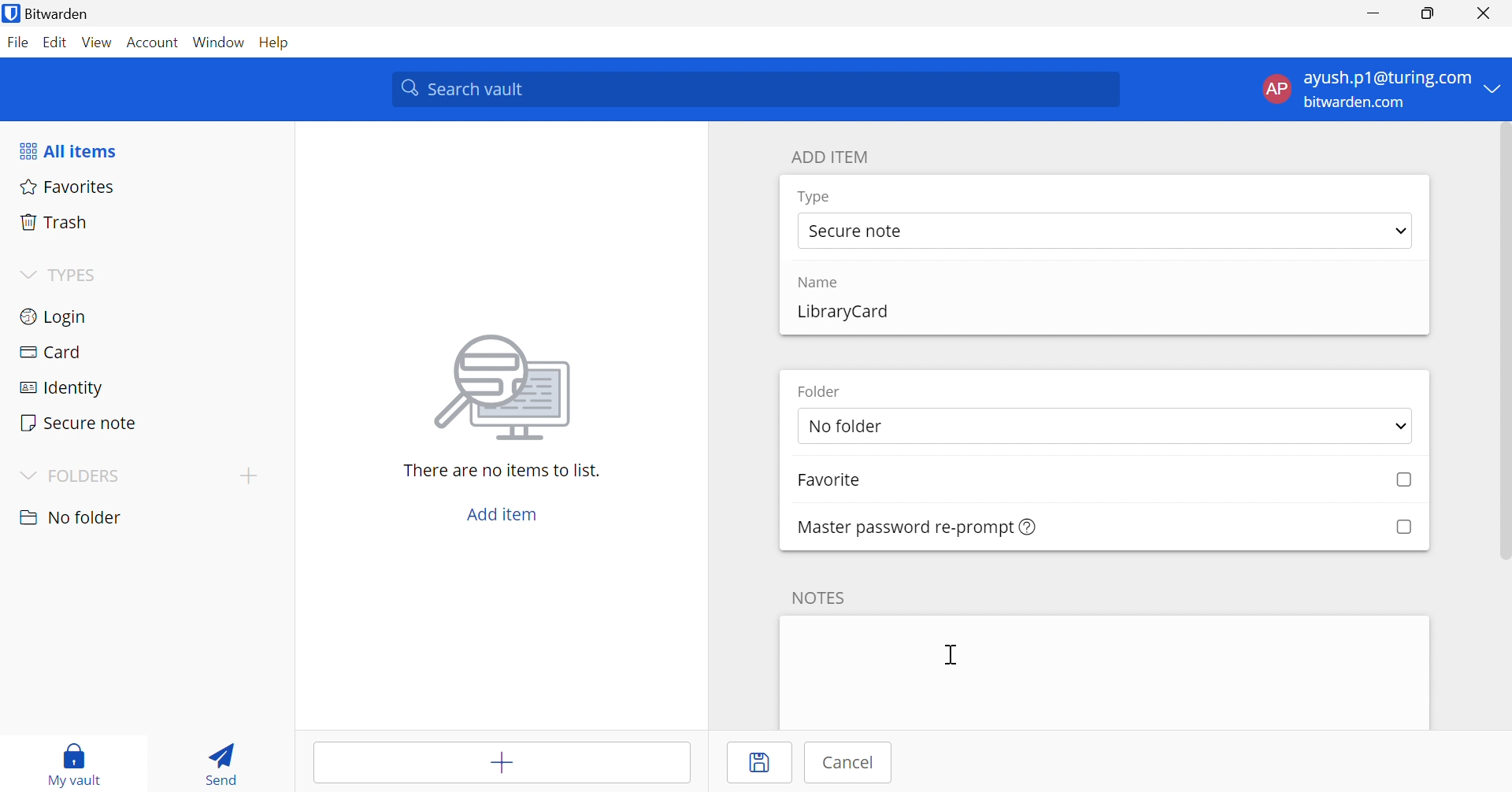  I want to click on Trash, so click(147, 221).